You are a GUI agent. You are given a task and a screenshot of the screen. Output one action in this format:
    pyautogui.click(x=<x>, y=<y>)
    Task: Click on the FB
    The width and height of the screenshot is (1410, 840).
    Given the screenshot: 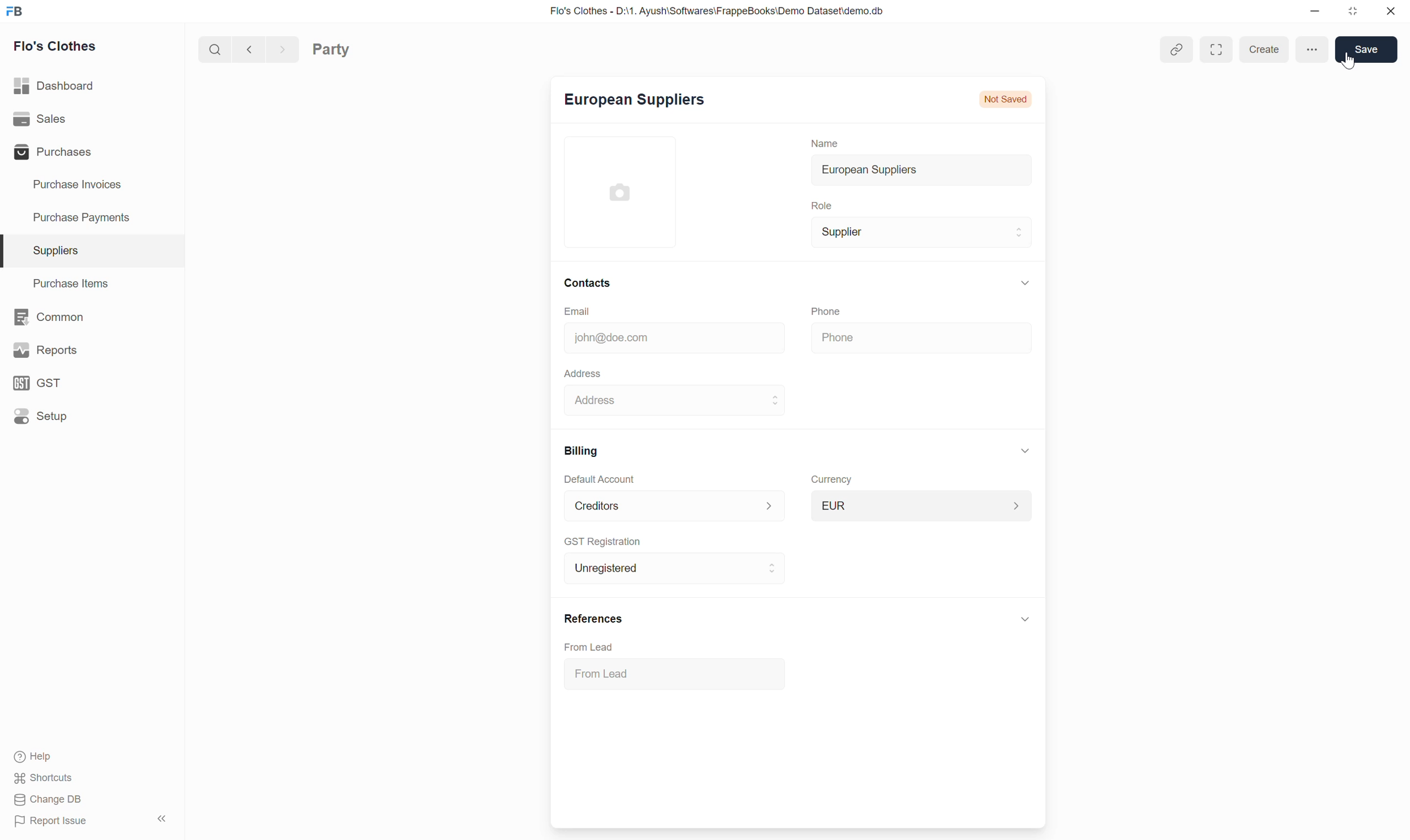 What is the action you would take?
    pyautogui.click(x=15, y=11)
    